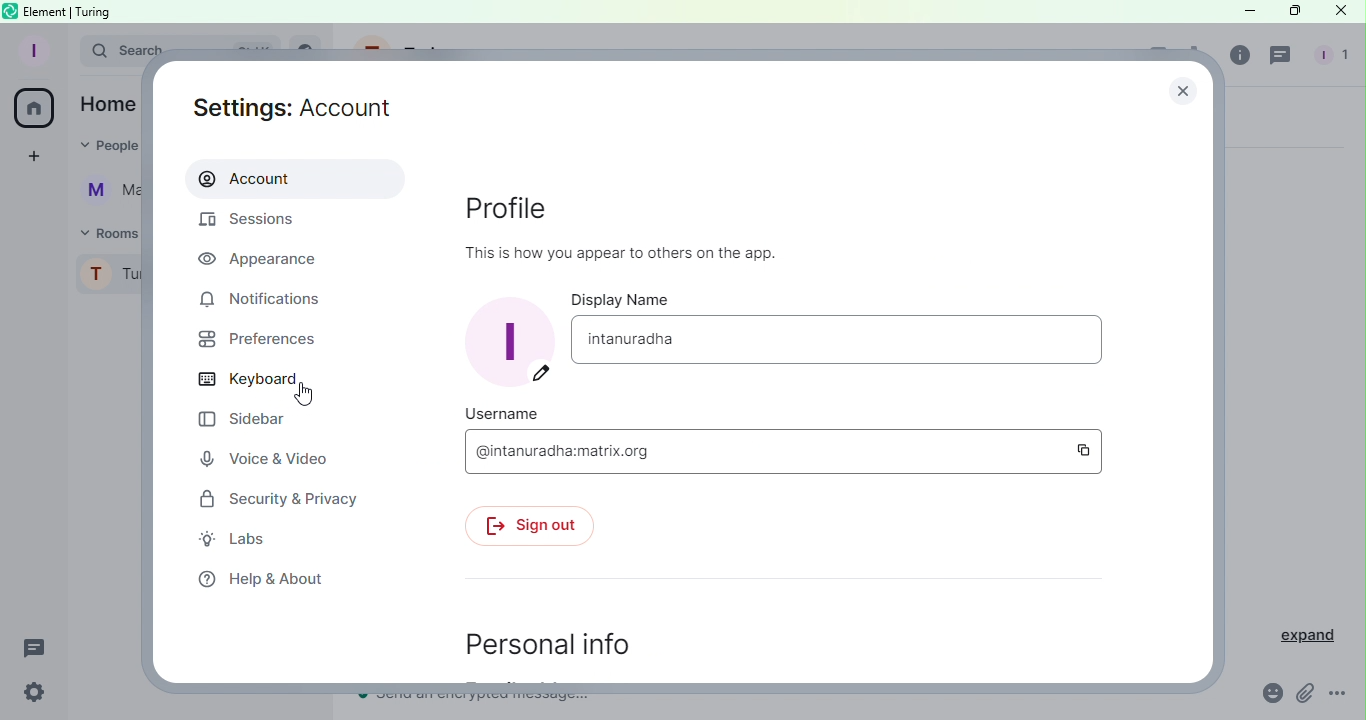 Image resolution: width=1366 pixels, height=720 pixels. What do you see at coordinates (68, 11) in the screenshot?
I see `element | turing` at bounding box center [68, 11].